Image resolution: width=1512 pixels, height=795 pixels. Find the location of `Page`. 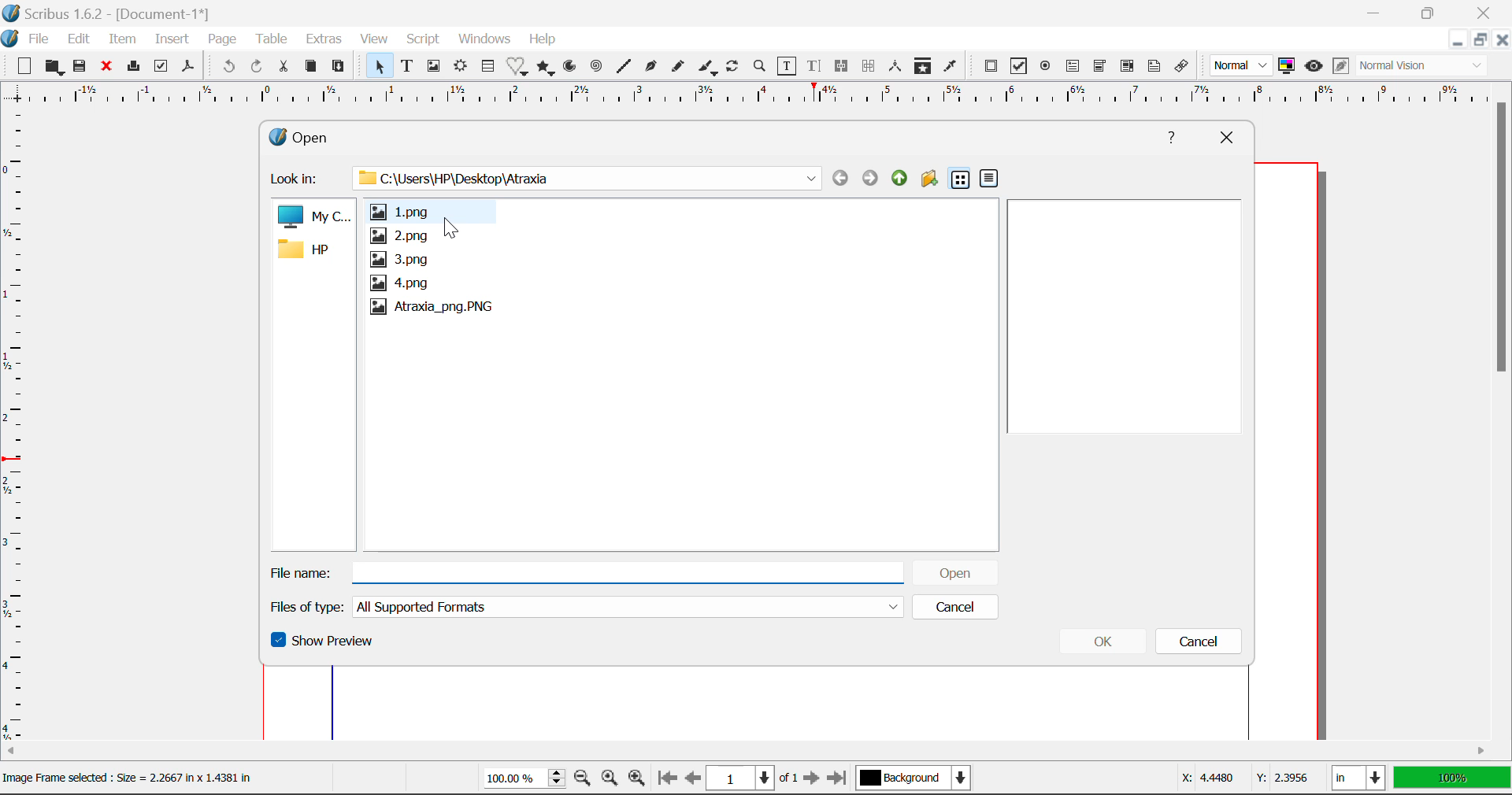

Page is located at coordinates (224, 39).